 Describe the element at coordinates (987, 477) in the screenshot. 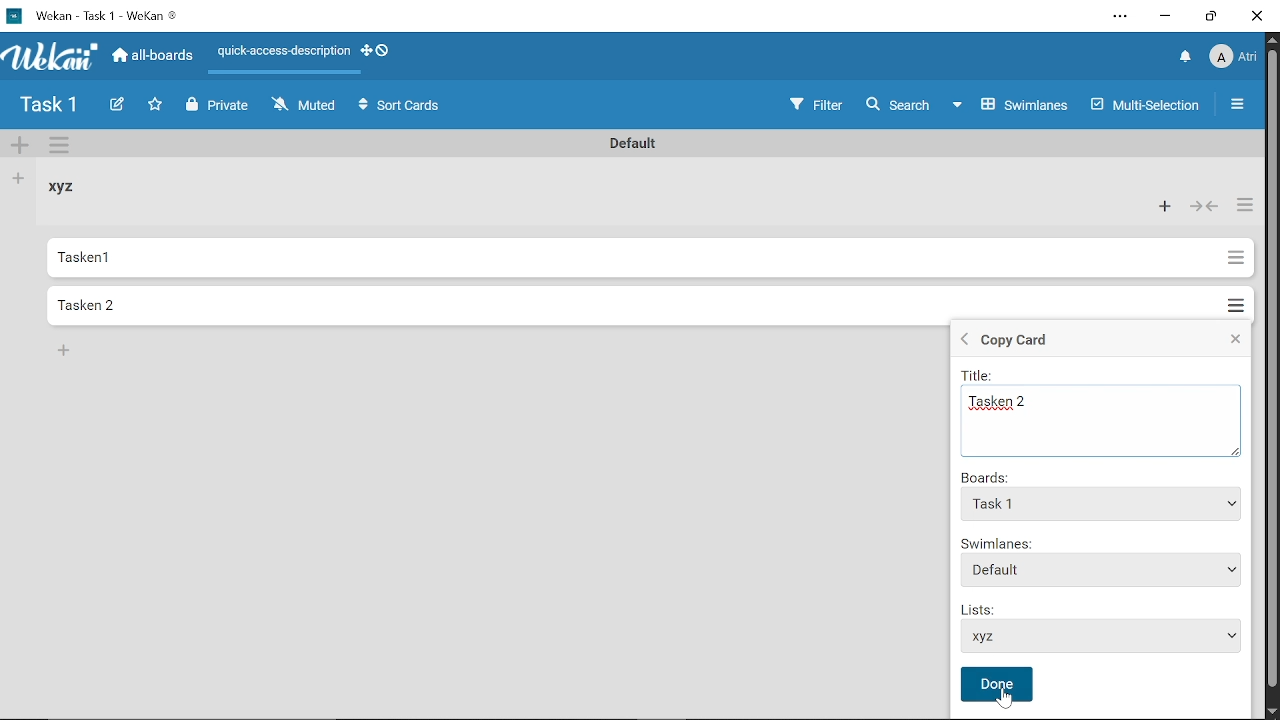

I see `Boards` at that location.